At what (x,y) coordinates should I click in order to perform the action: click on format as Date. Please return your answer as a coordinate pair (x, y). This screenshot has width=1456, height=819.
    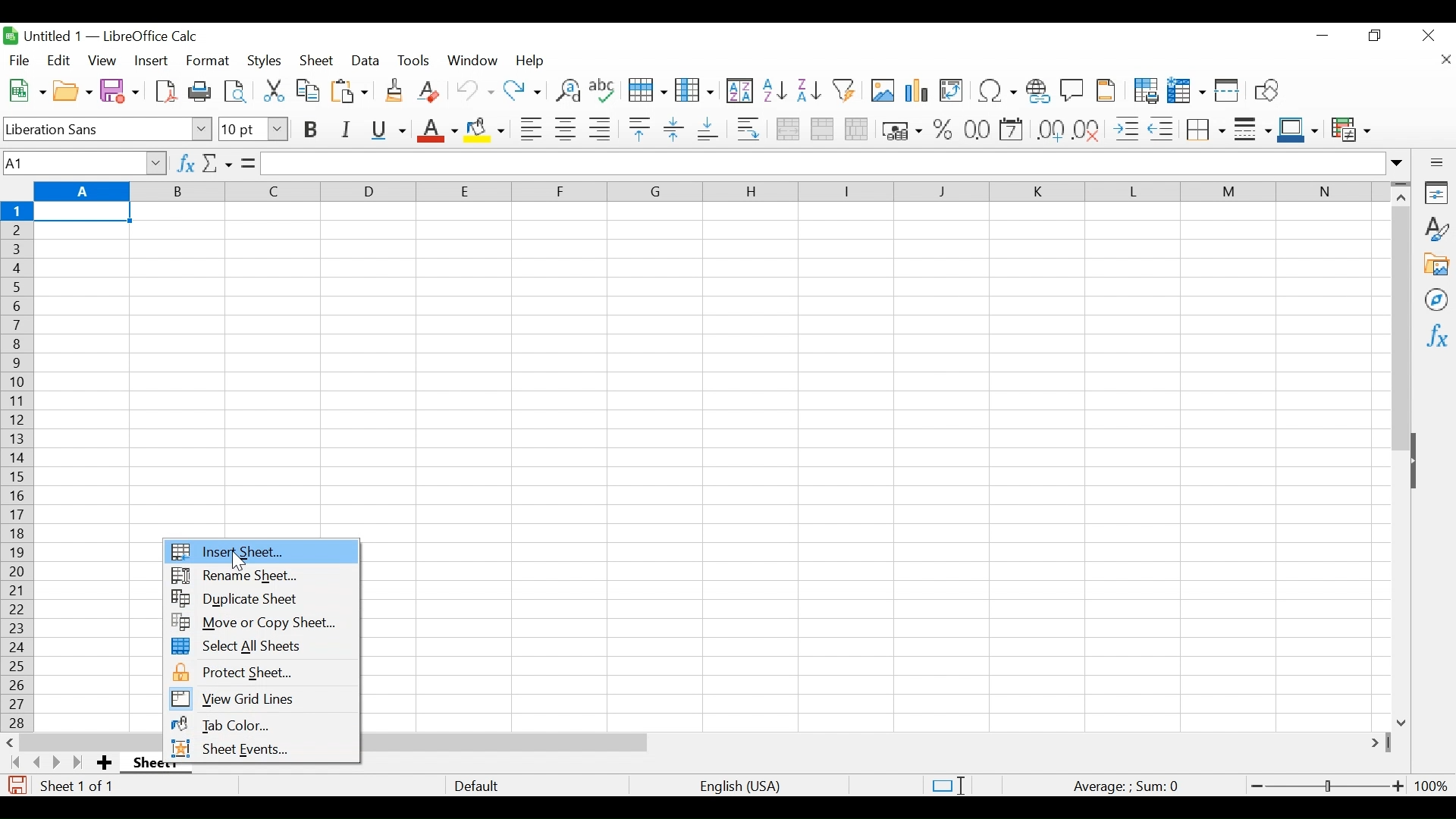
    Looking at the image, I should click on (1012, 131).